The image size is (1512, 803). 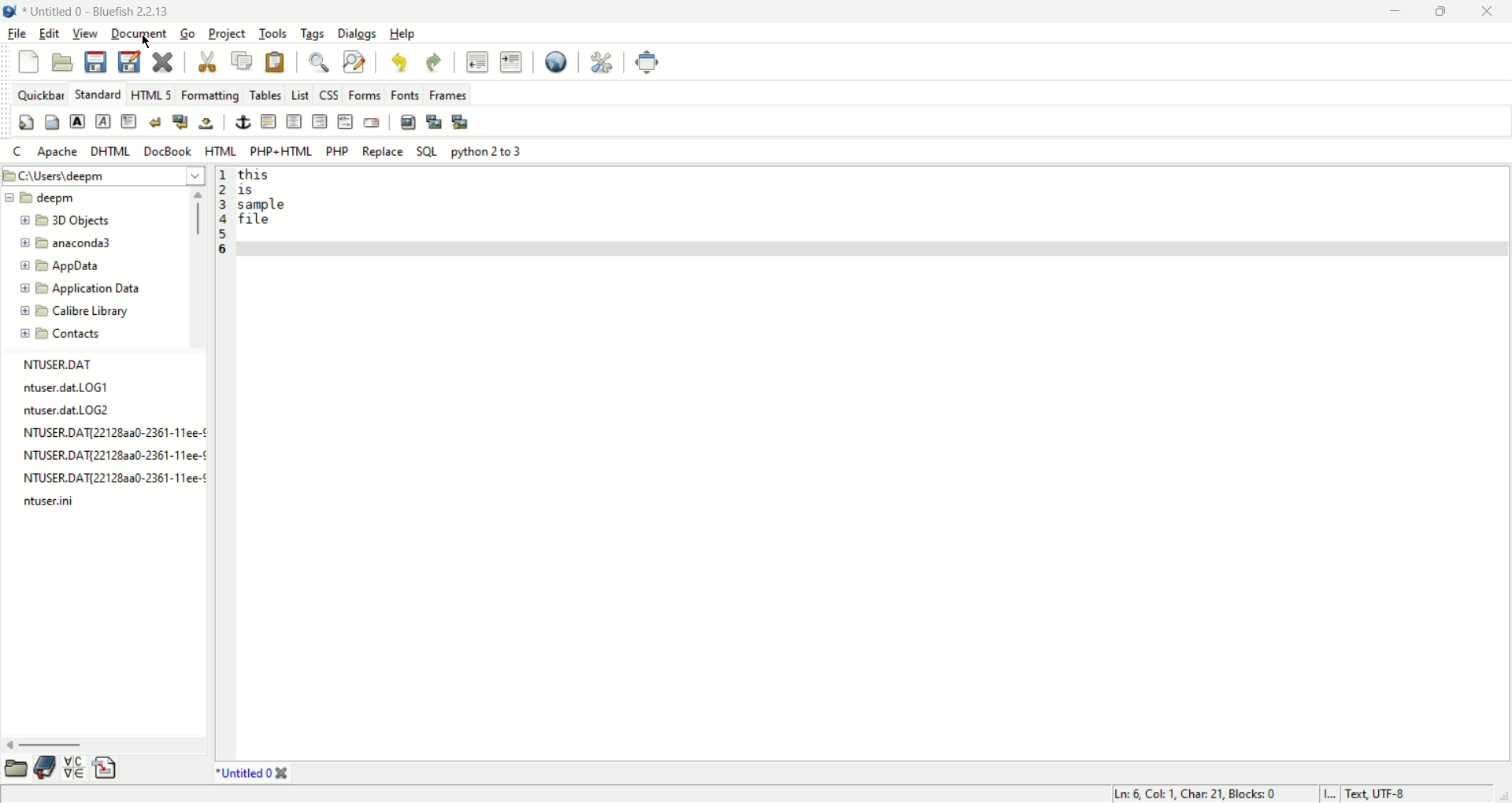 I want to click on unindent, so click(x=476, y=61).